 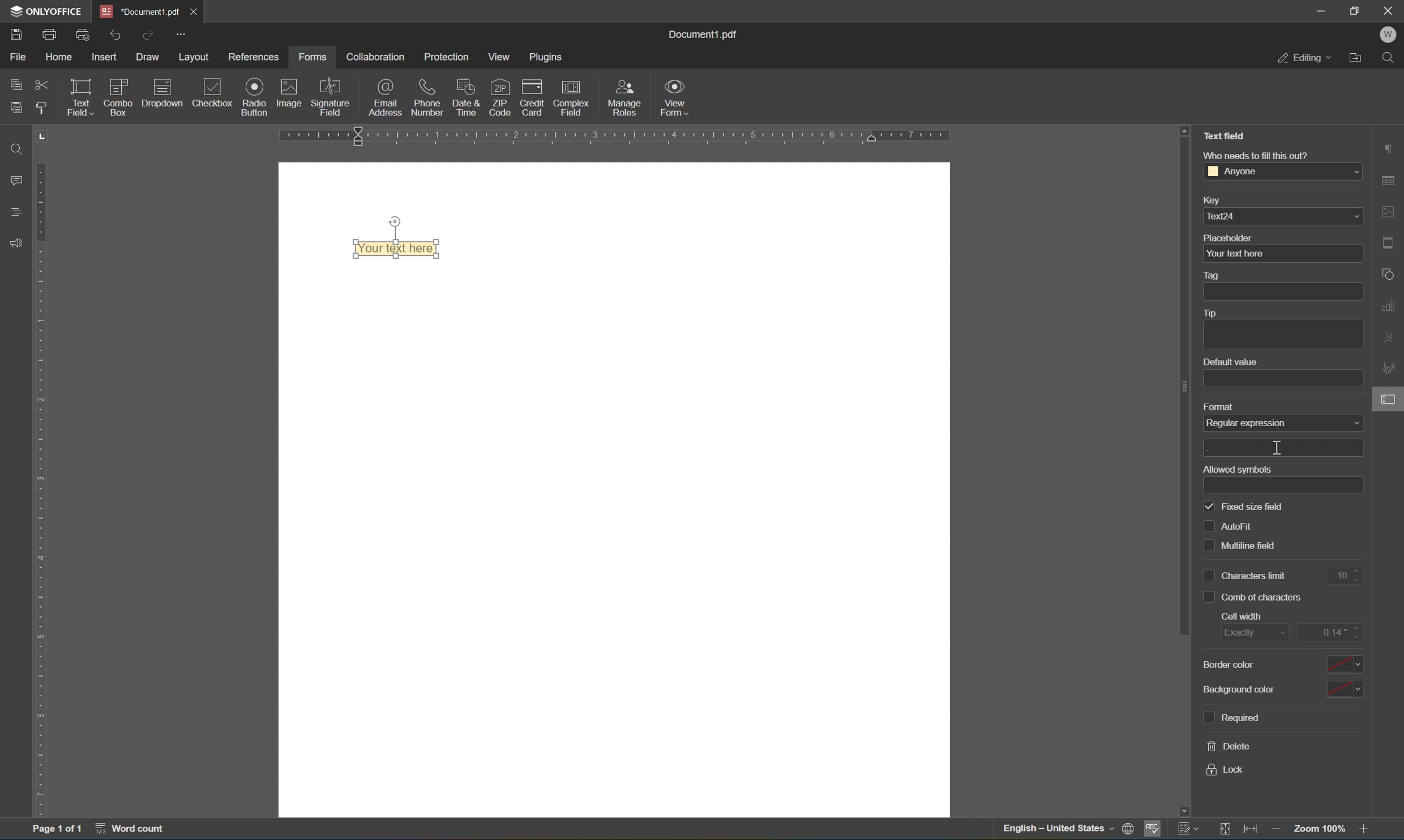 I want to click on customize quick access toolbar, so click(x=179, y=33).